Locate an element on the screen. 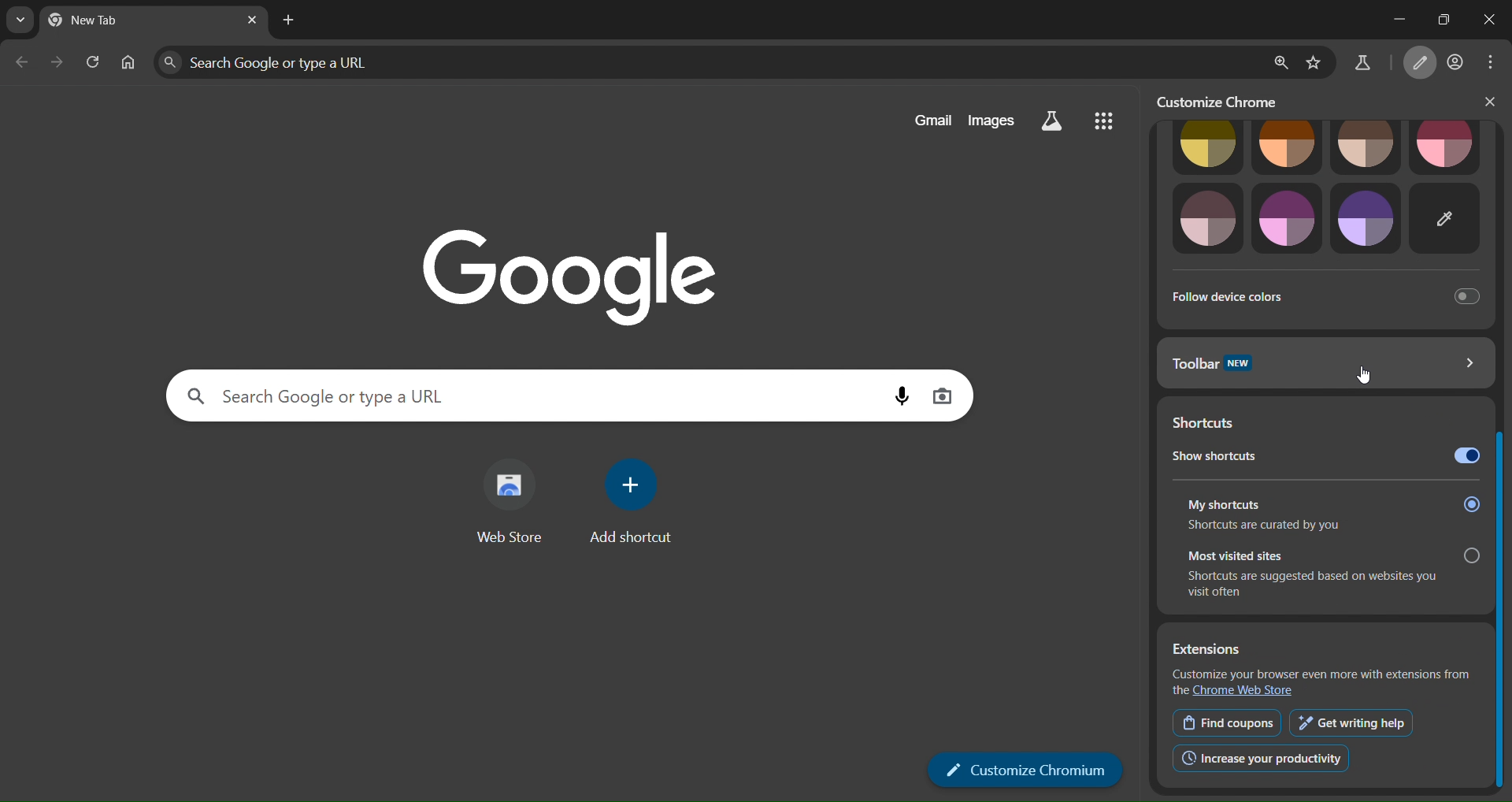 This screenshot has width=1512, height=802. image with google text is located at coordinates (583, 269).